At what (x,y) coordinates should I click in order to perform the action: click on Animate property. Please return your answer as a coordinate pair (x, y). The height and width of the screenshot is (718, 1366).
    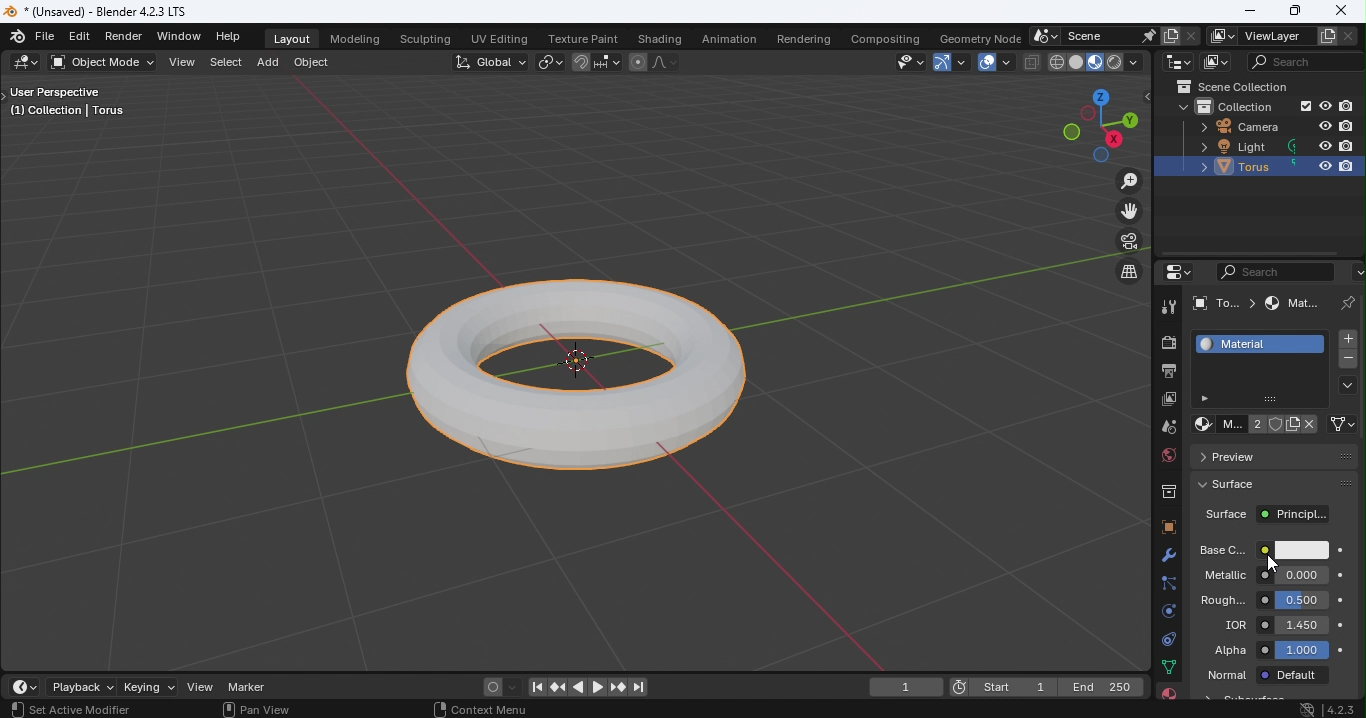
    Looking at the image, I should click on (1344, 579).